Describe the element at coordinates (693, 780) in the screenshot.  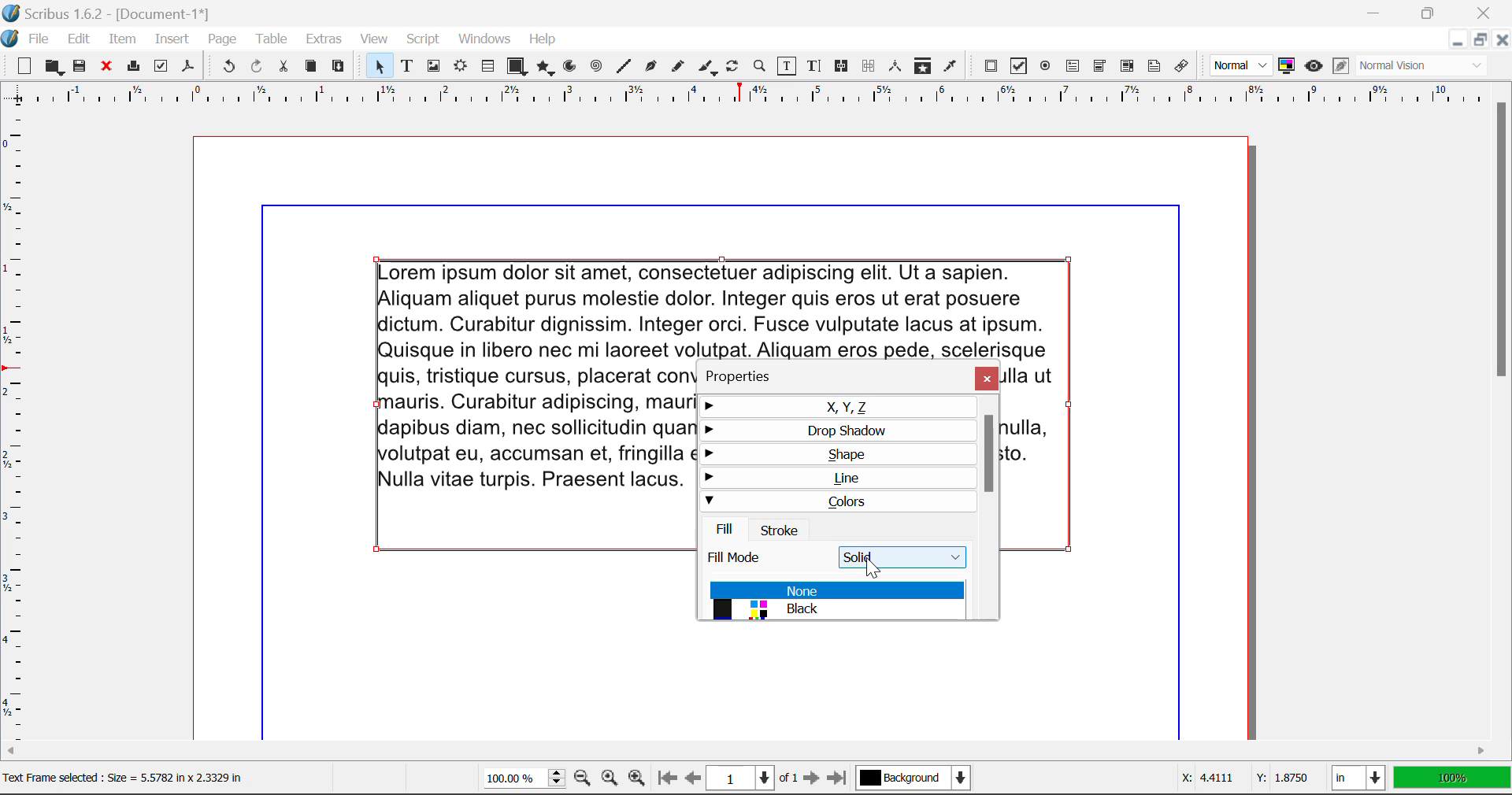
I see `Previous Page` at that location.